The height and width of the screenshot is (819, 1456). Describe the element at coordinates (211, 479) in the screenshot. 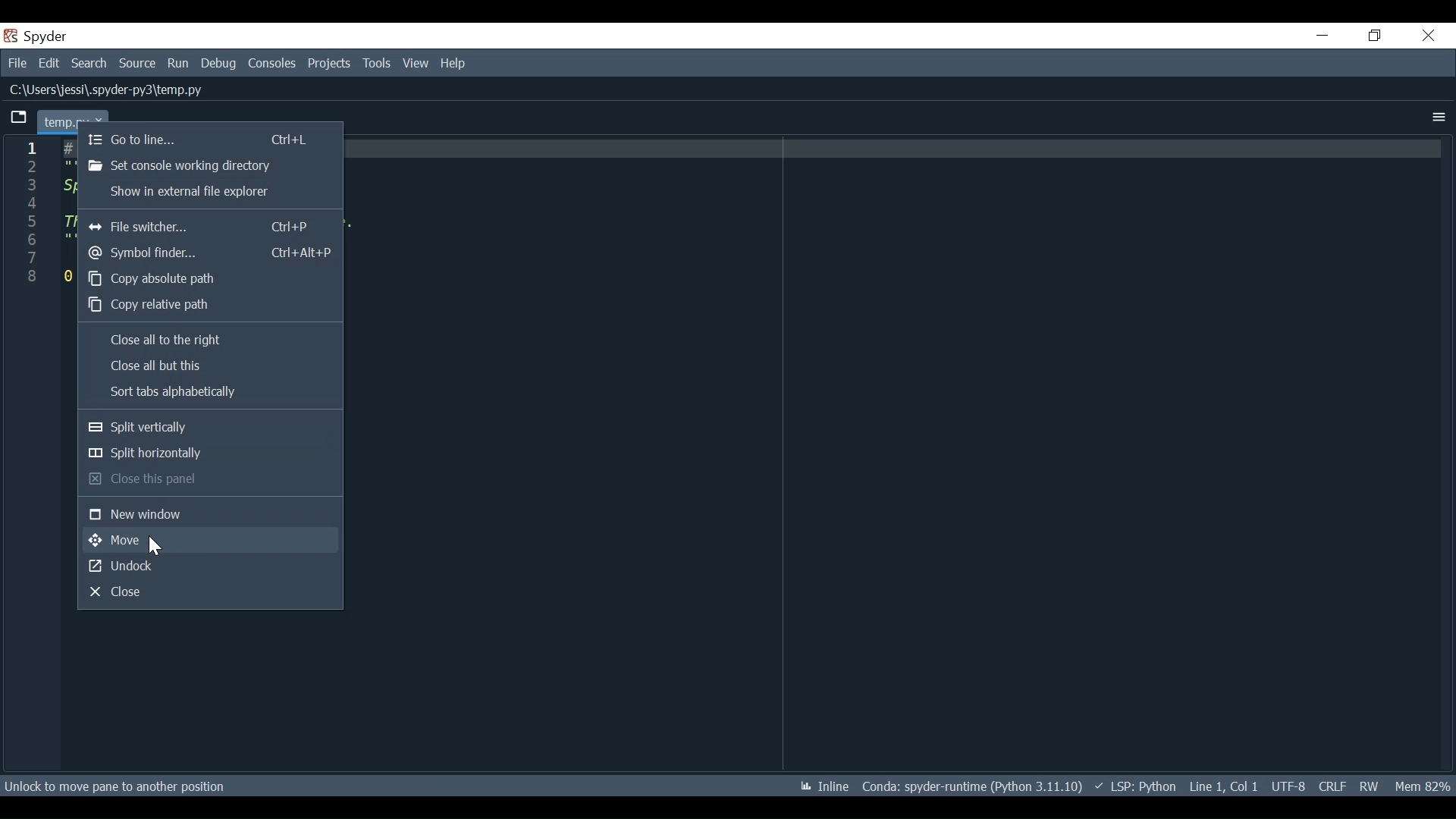

I see `Close this panel` at that location.